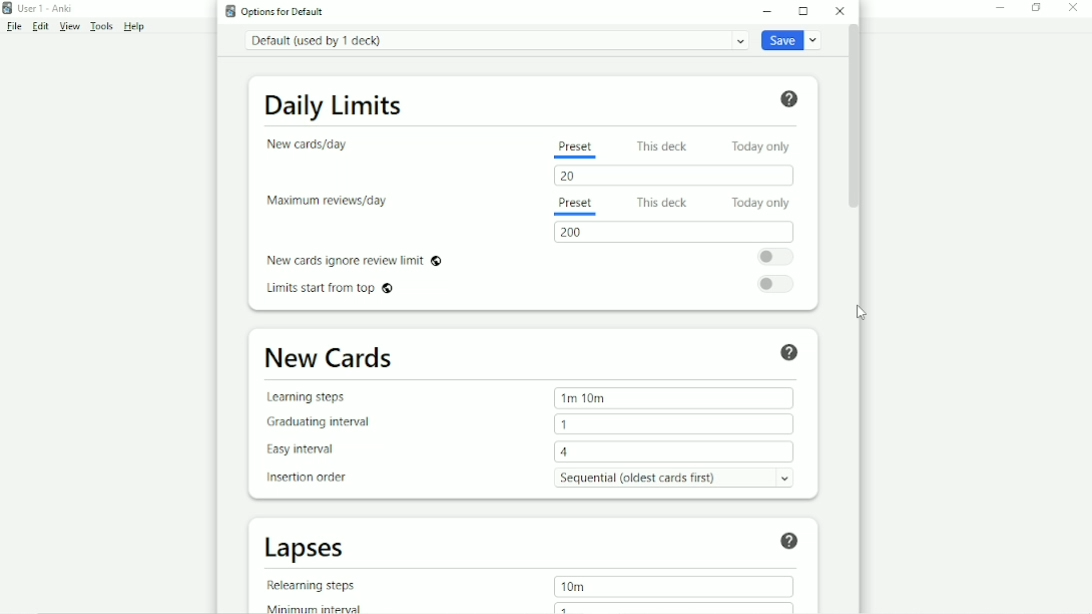 The height and width of the screenshot is (614, 1092). Describe the element at coordinates (578, 587) in the screenshot. I see `10m` at that location.